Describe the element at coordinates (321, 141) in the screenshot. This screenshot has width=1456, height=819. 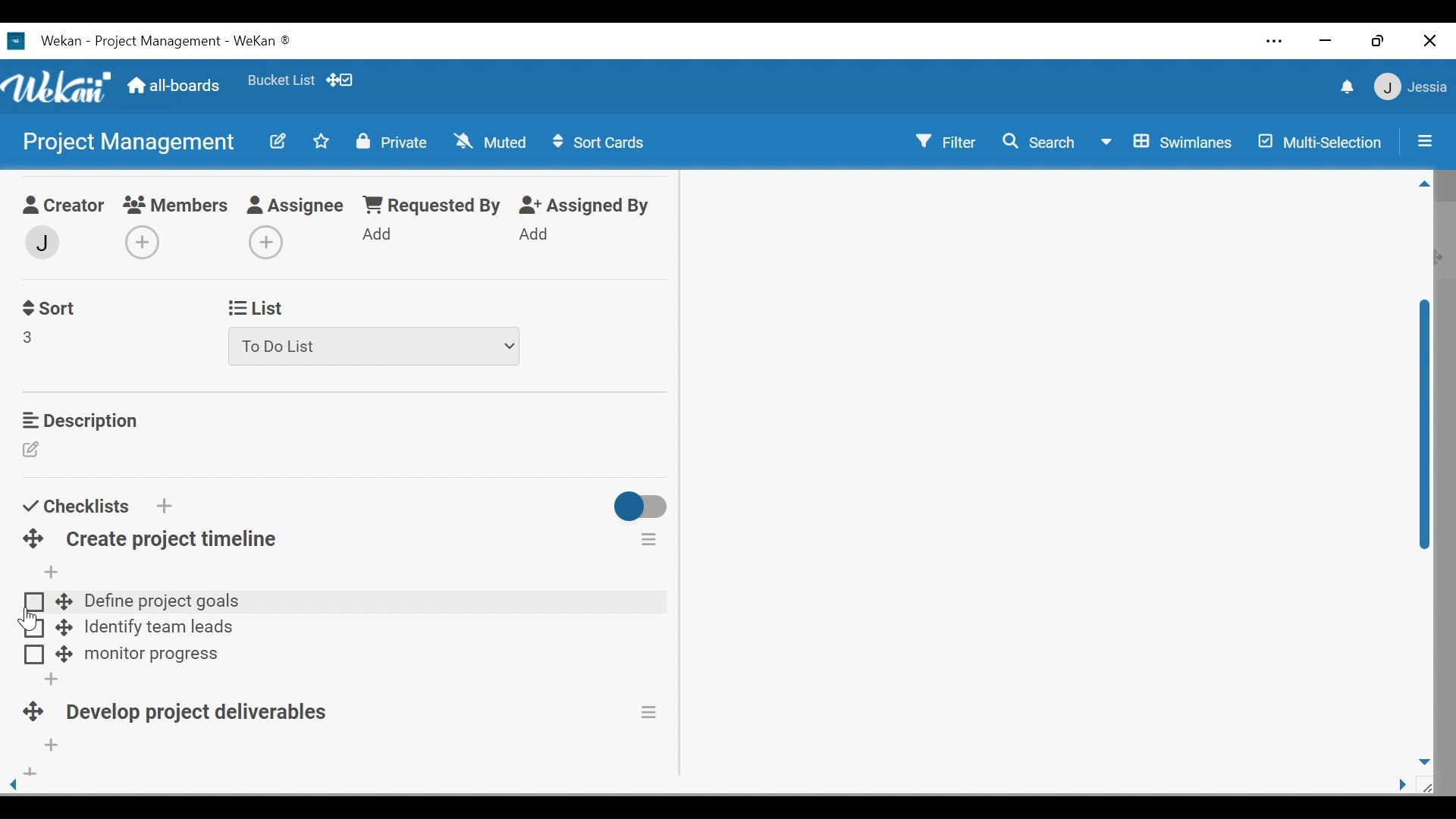
I see `Toggle favorites` at that location.